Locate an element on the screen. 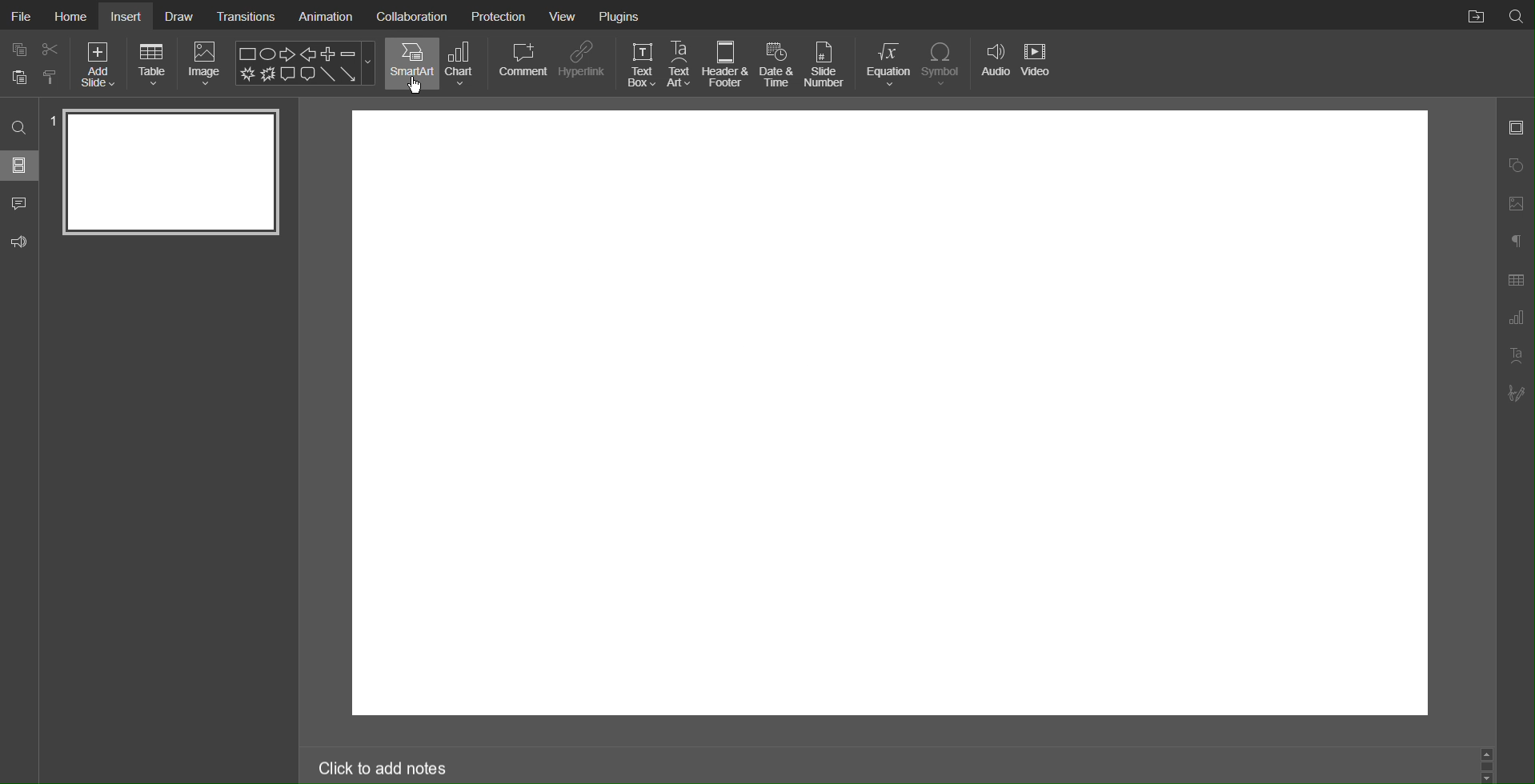  File  is located at coordinates (19, 14).